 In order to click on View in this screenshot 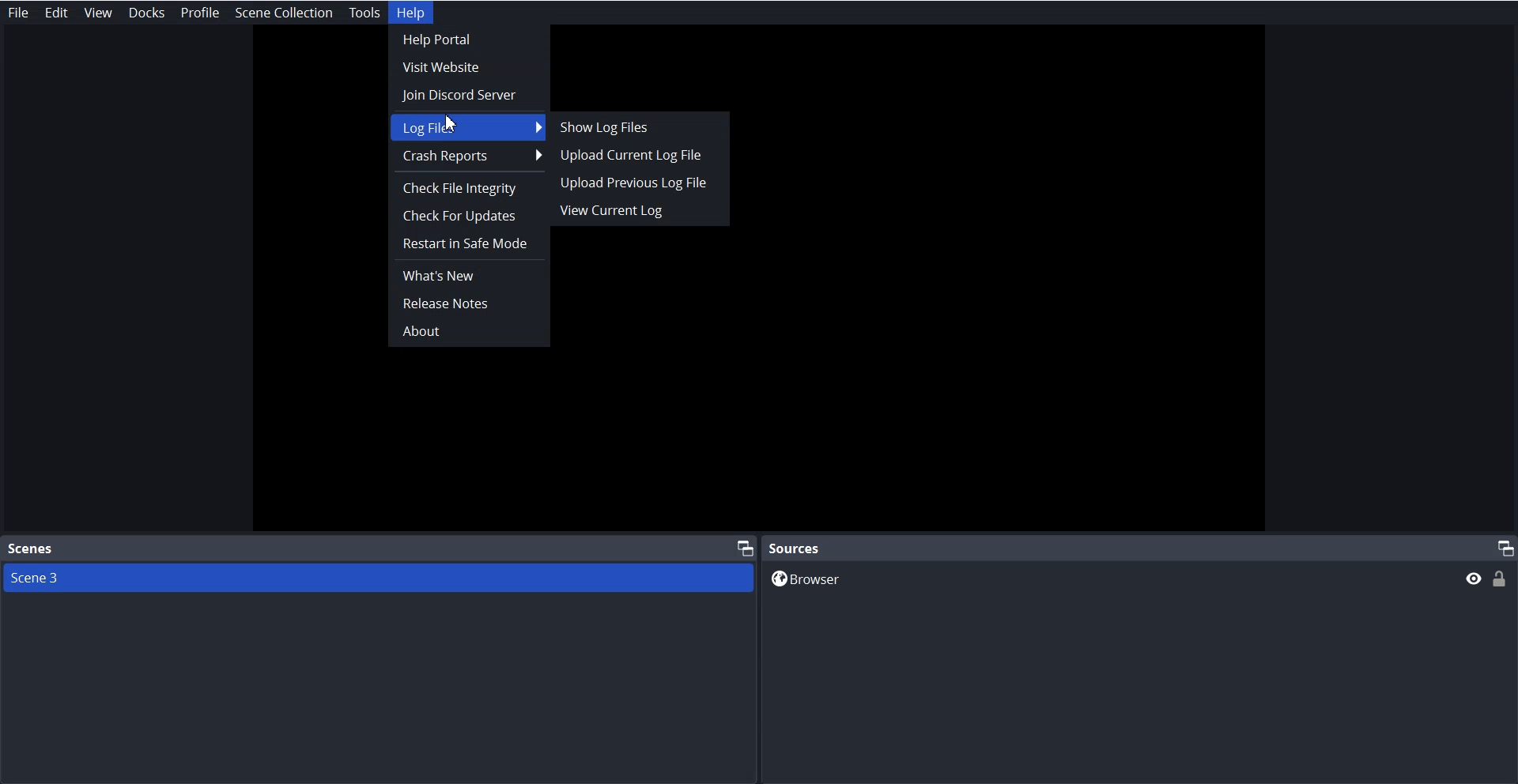, I will do `click(97, 11)`.